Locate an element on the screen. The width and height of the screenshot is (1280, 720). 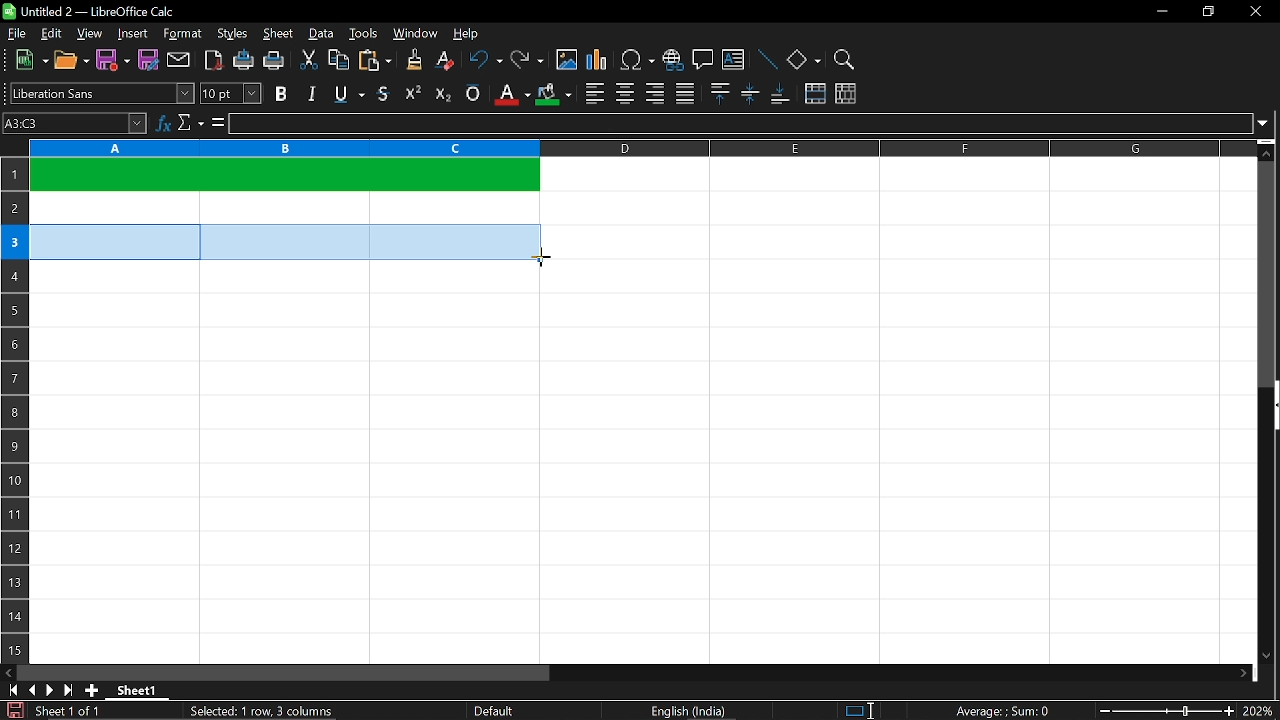
cut is located at coordinates (310, 60).